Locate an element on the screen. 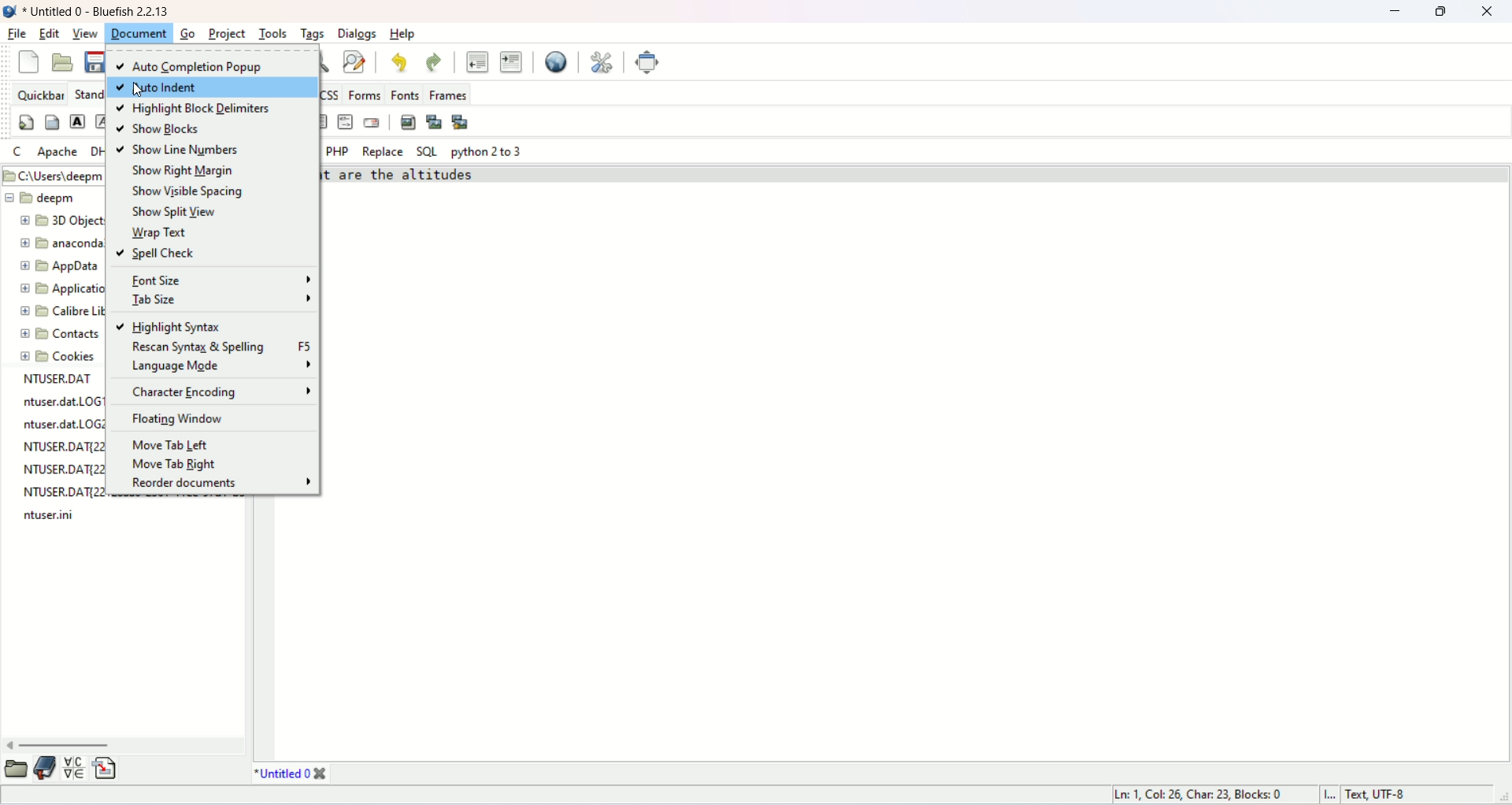 This screenshot has width=1512, height=805. rescan syntax and spelling is located at coordinates (220, 347).